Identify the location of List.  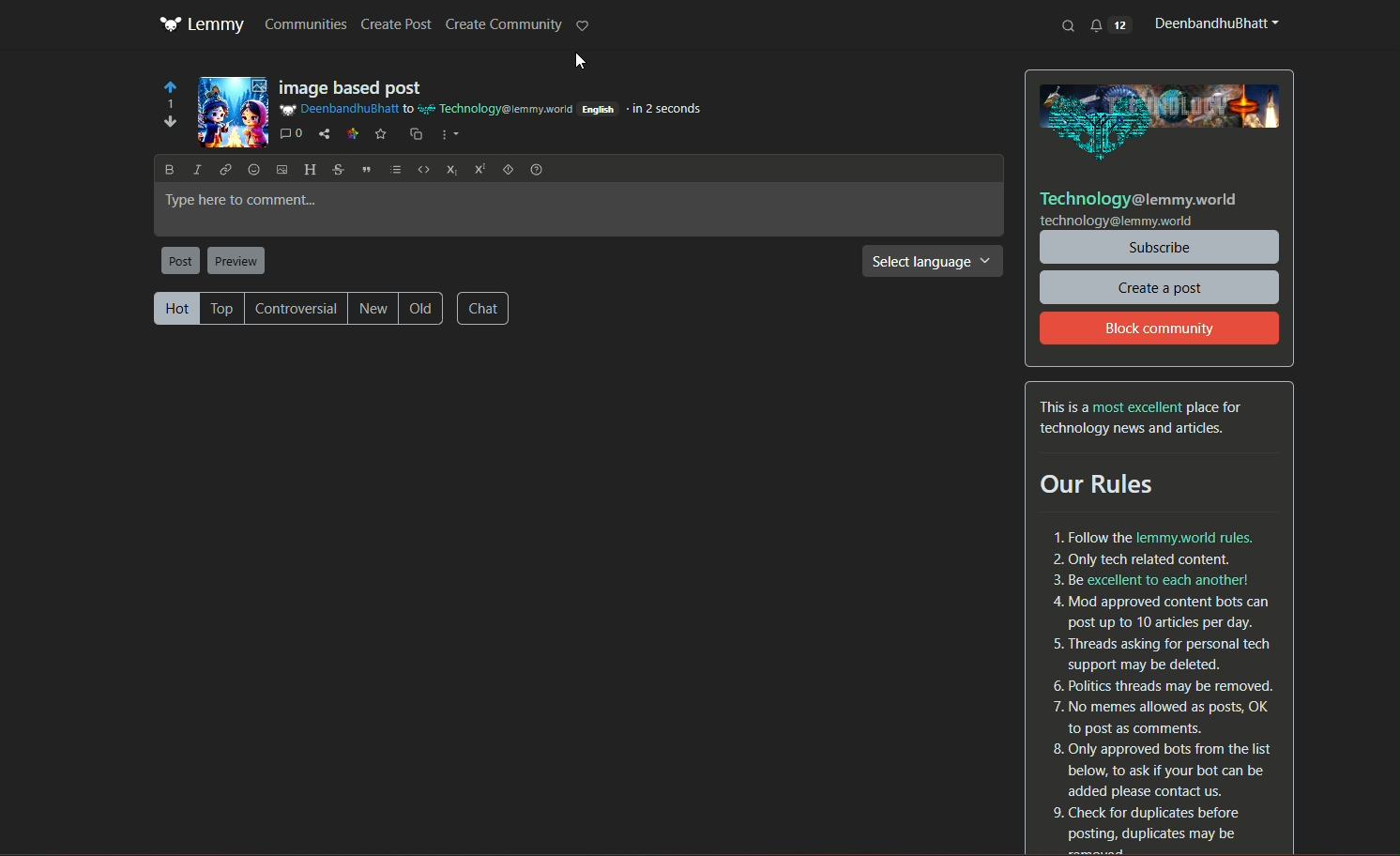
(393, 169).